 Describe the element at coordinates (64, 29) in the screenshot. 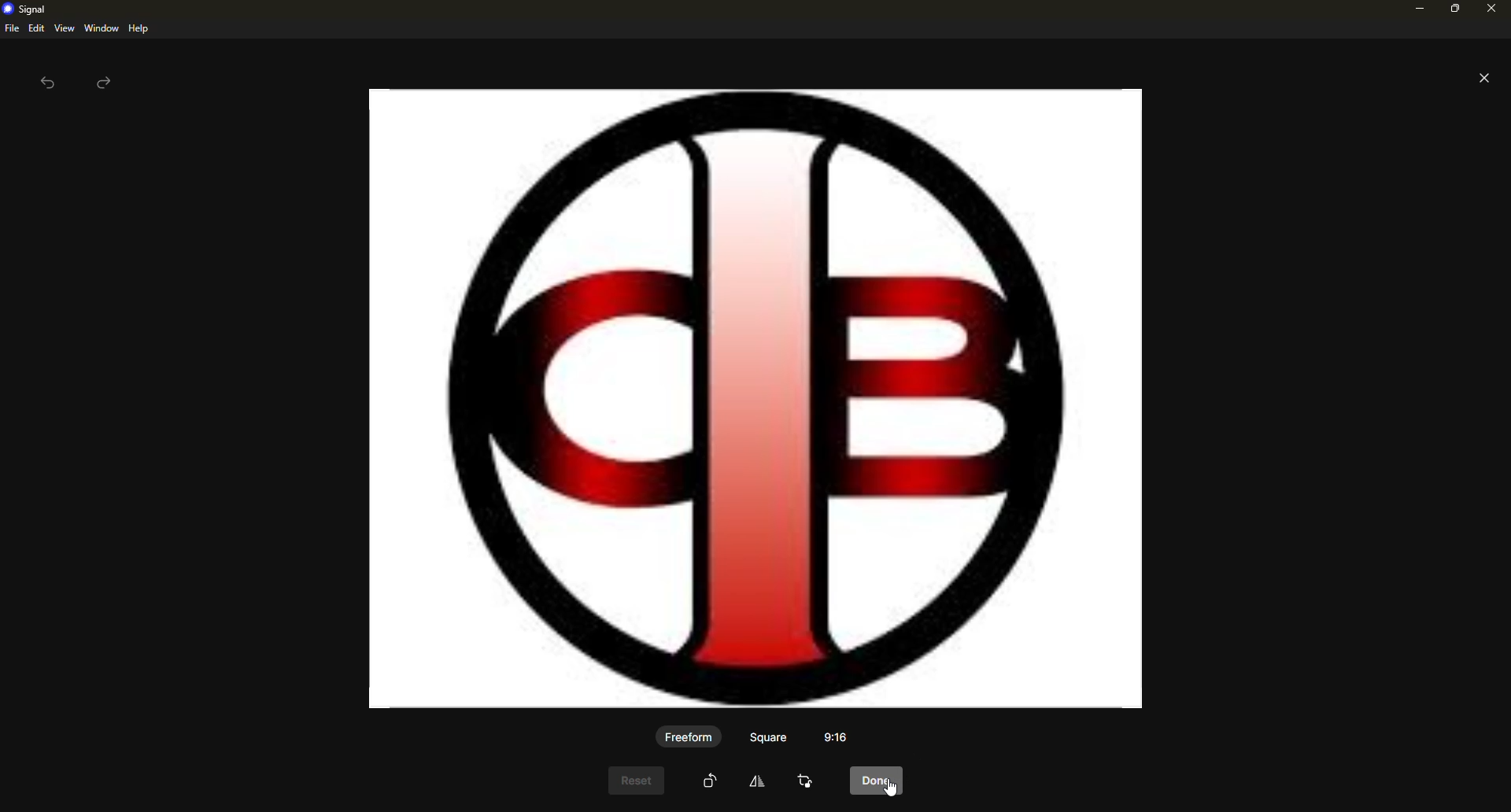

I see `view` at that location.